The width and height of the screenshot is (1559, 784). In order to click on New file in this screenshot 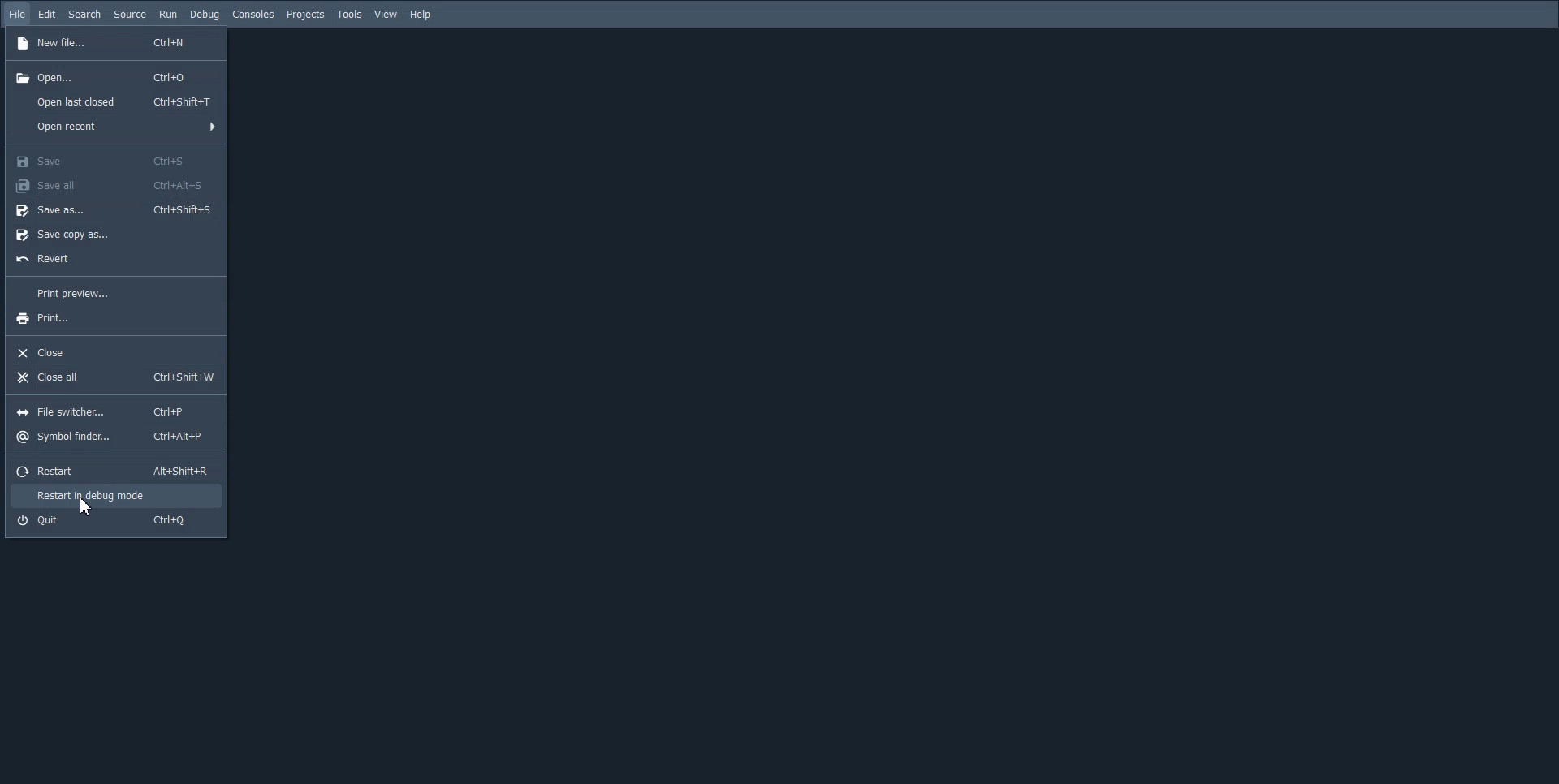, I will do `click(114, 44)`.